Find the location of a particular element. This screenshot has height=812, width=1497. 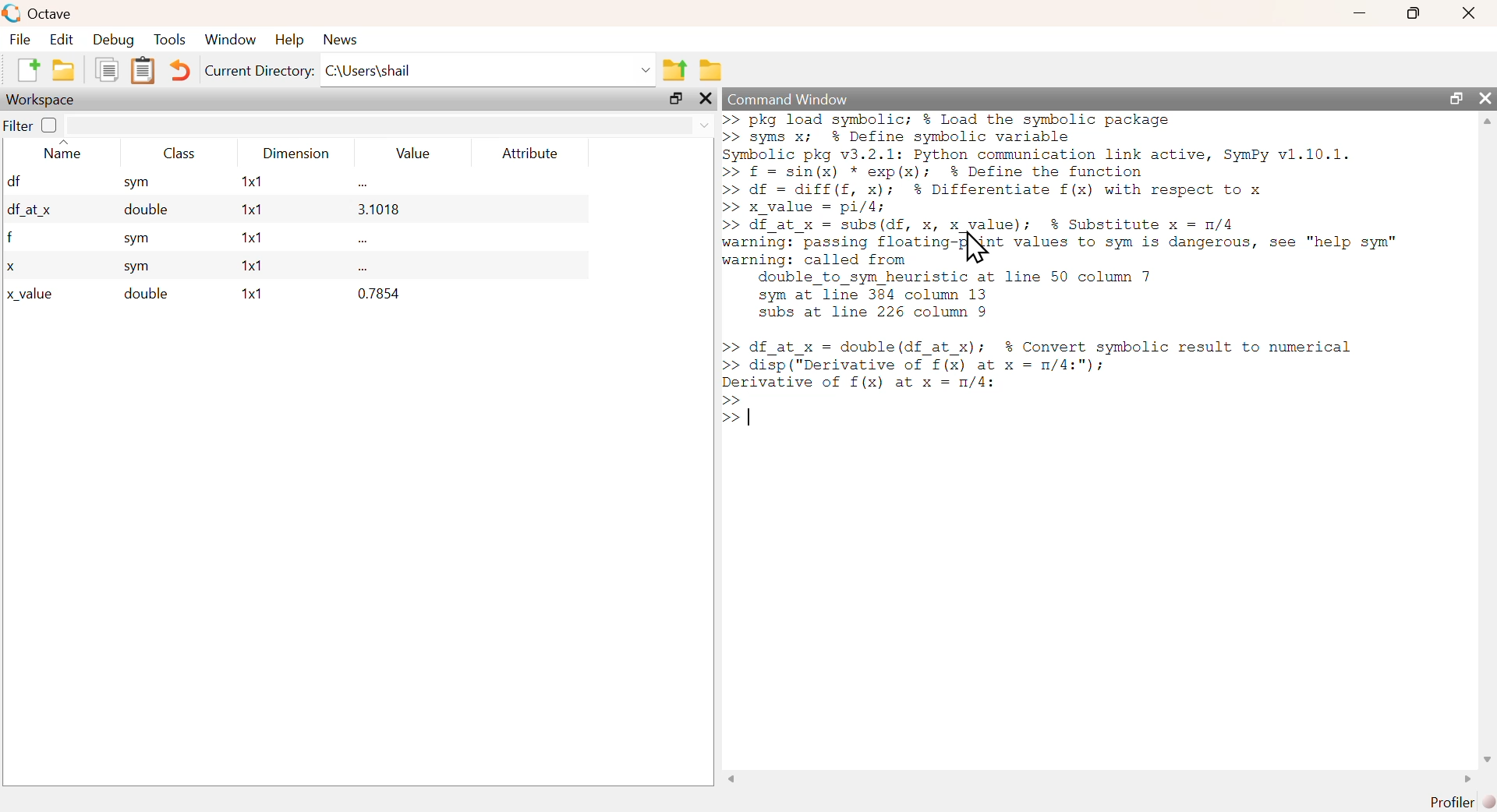

x_value is located at coordinates (31, 295).